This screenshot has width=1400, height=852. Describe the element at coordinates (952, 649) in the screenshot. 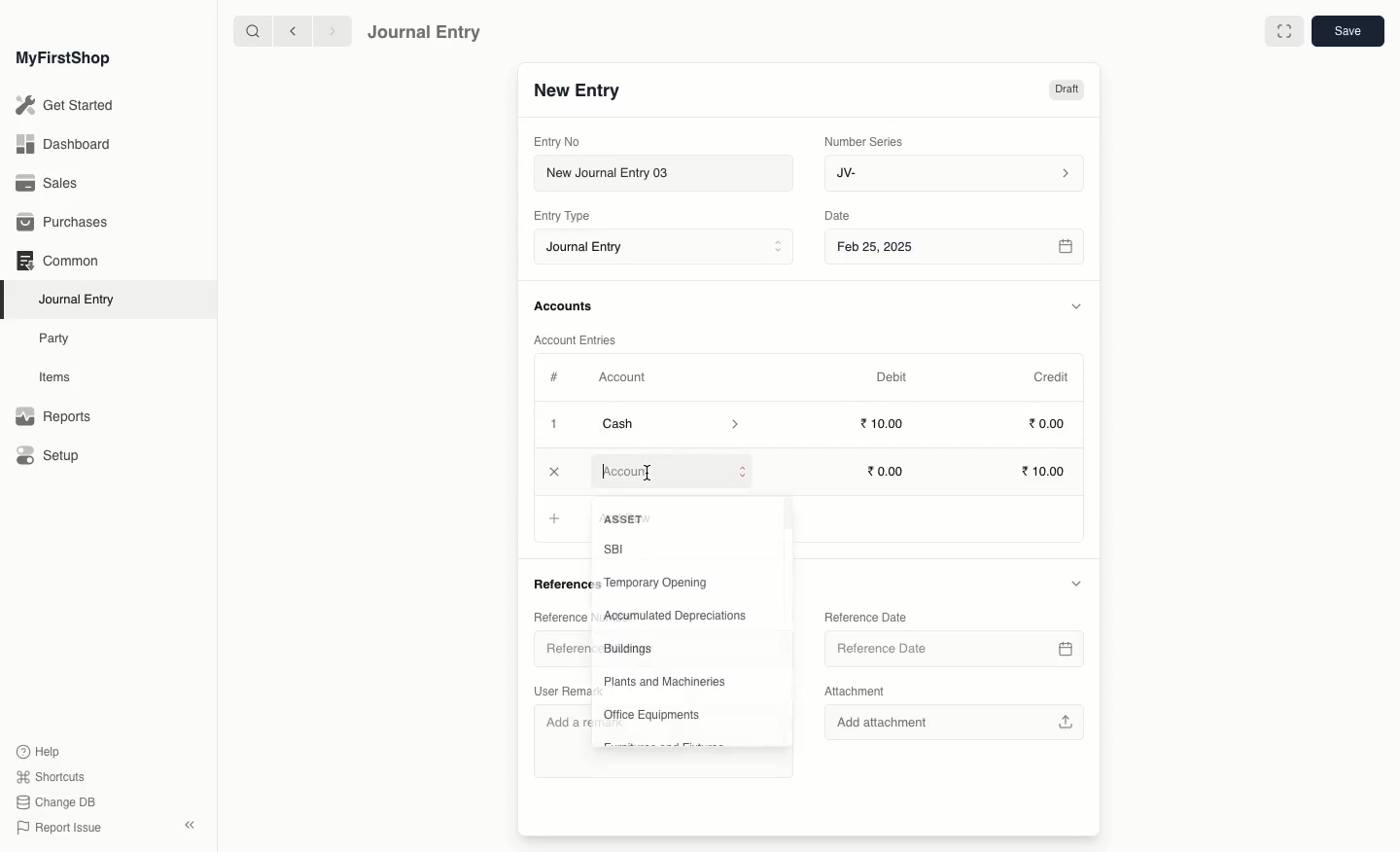

I see `Reference Date` at that location.